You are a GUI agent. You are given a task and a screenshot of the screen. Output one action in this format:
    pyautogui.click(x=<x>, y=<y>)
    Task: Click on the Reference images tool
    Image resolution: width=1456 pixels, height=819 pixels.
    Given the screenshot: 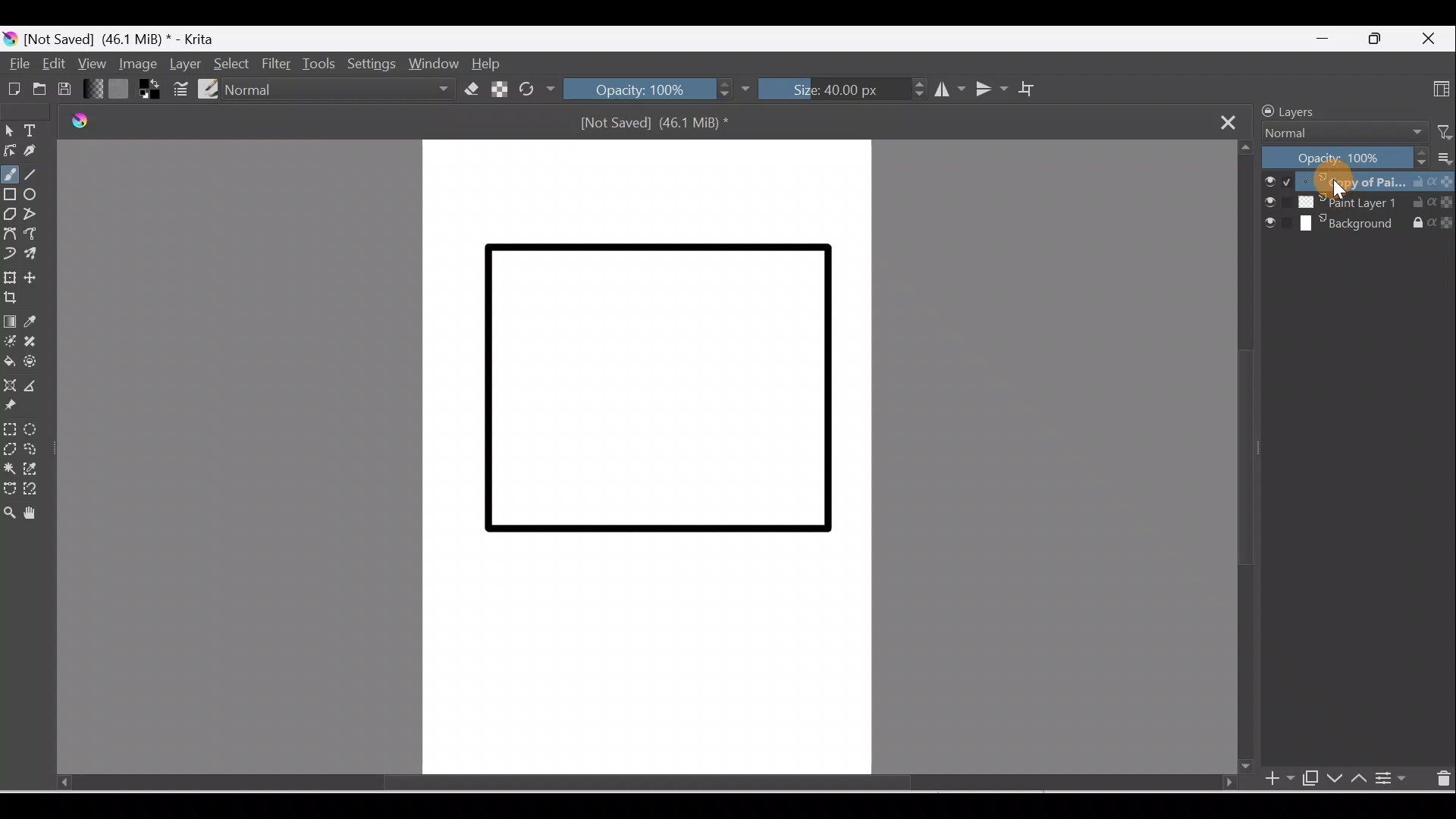 What is the action you would take?
    pyautogui.click(x=14, y=407)
    